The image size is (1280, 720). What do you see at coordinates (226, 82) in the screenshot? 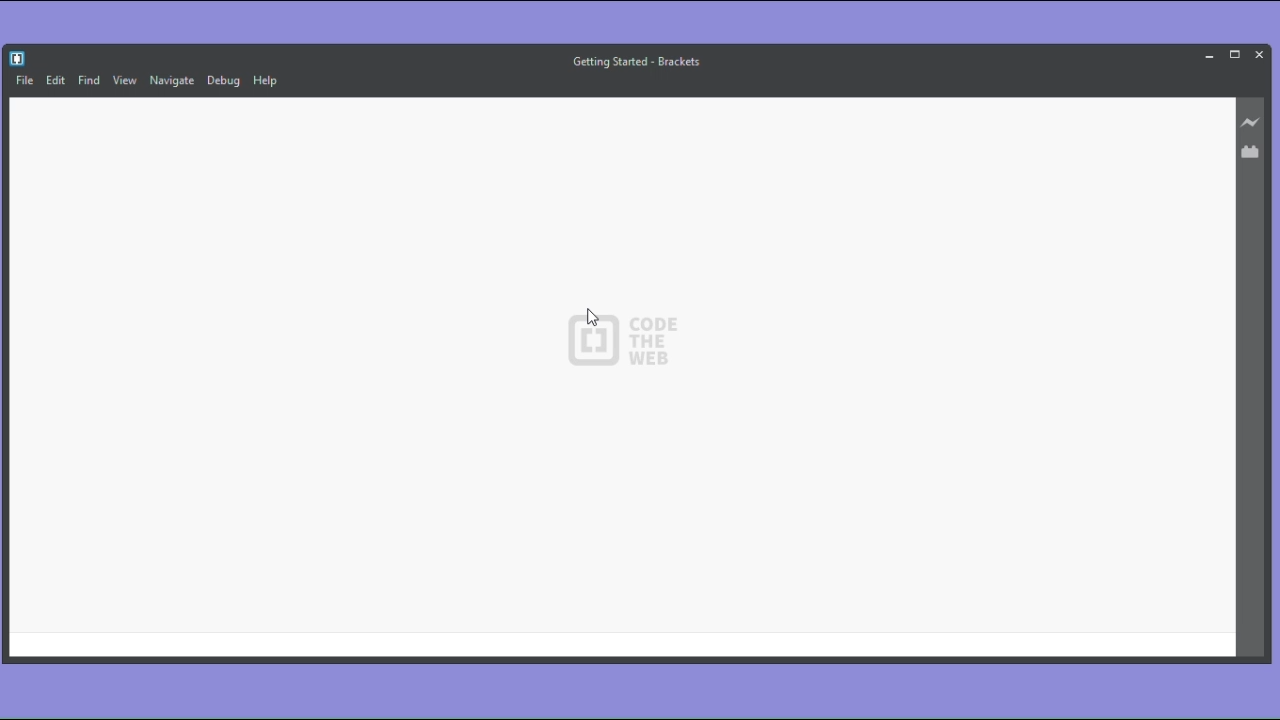
I see `Debug` at bounding box center [226, 82].